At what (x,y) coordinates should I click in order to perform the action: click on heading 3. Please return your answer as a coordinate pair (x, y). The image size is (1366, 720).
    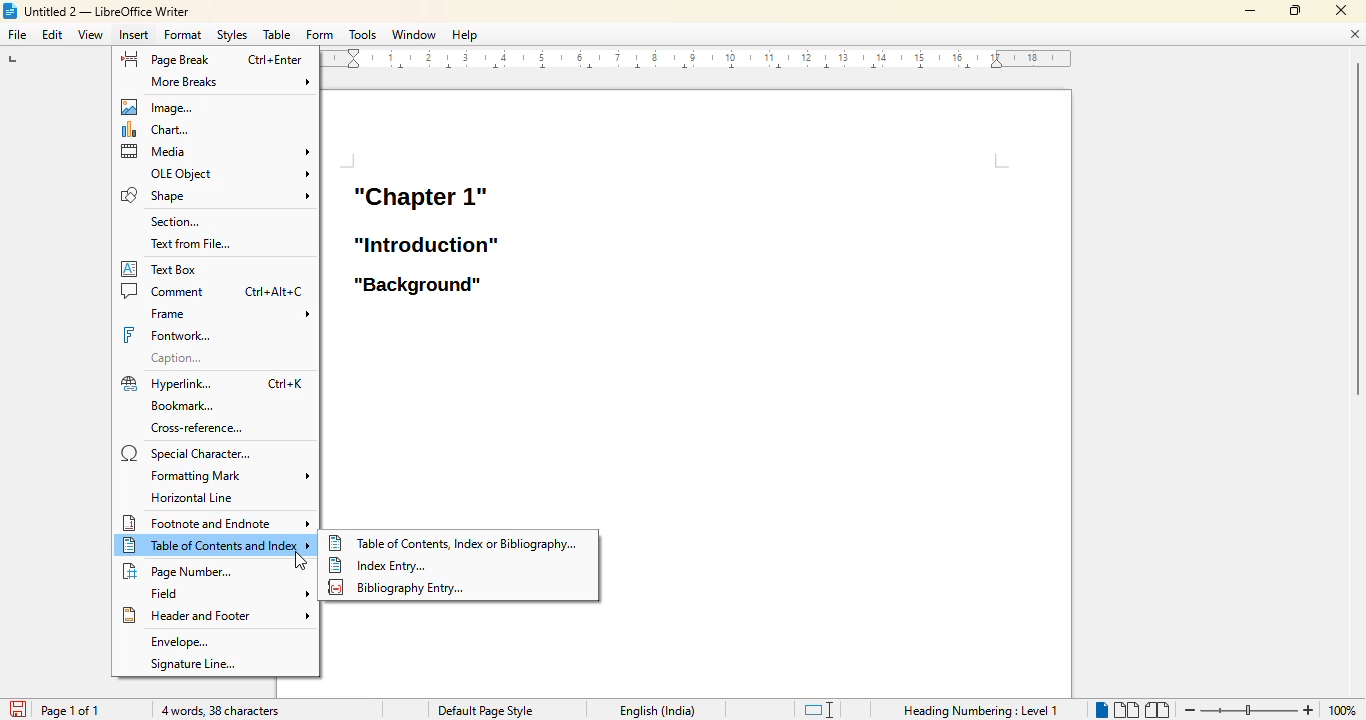
    Looking at the image, I should click on (417, 286).